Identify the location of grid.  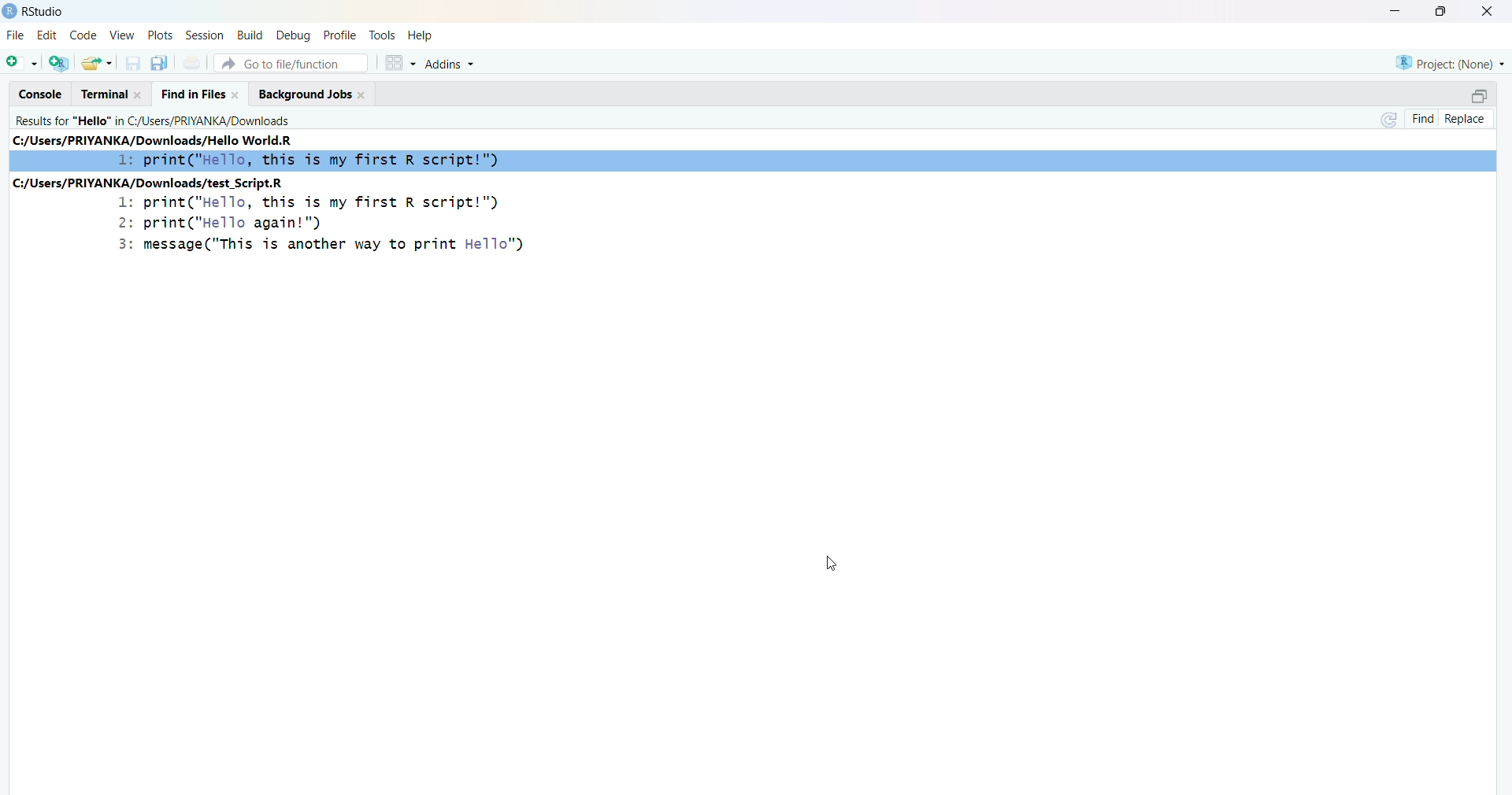
(401, 63).